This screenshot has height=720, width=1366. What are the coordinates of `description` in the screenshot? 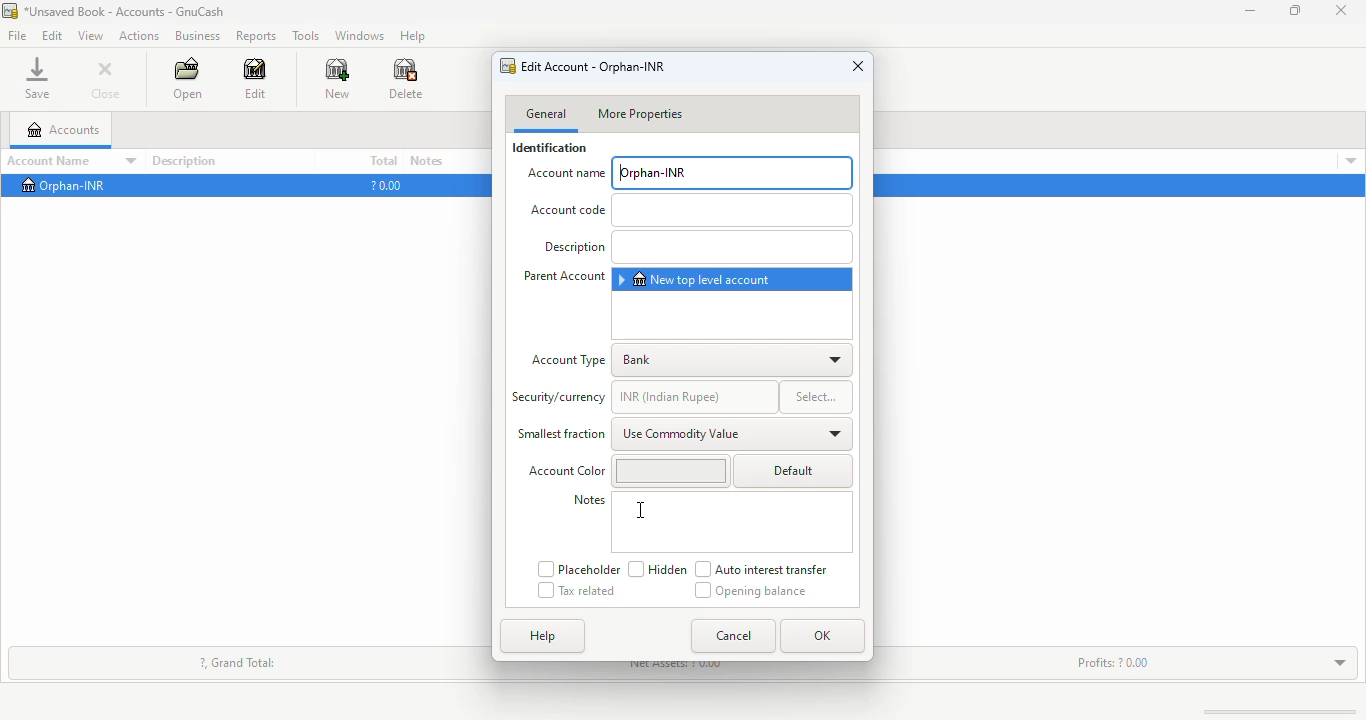 It's located at (184, 162).